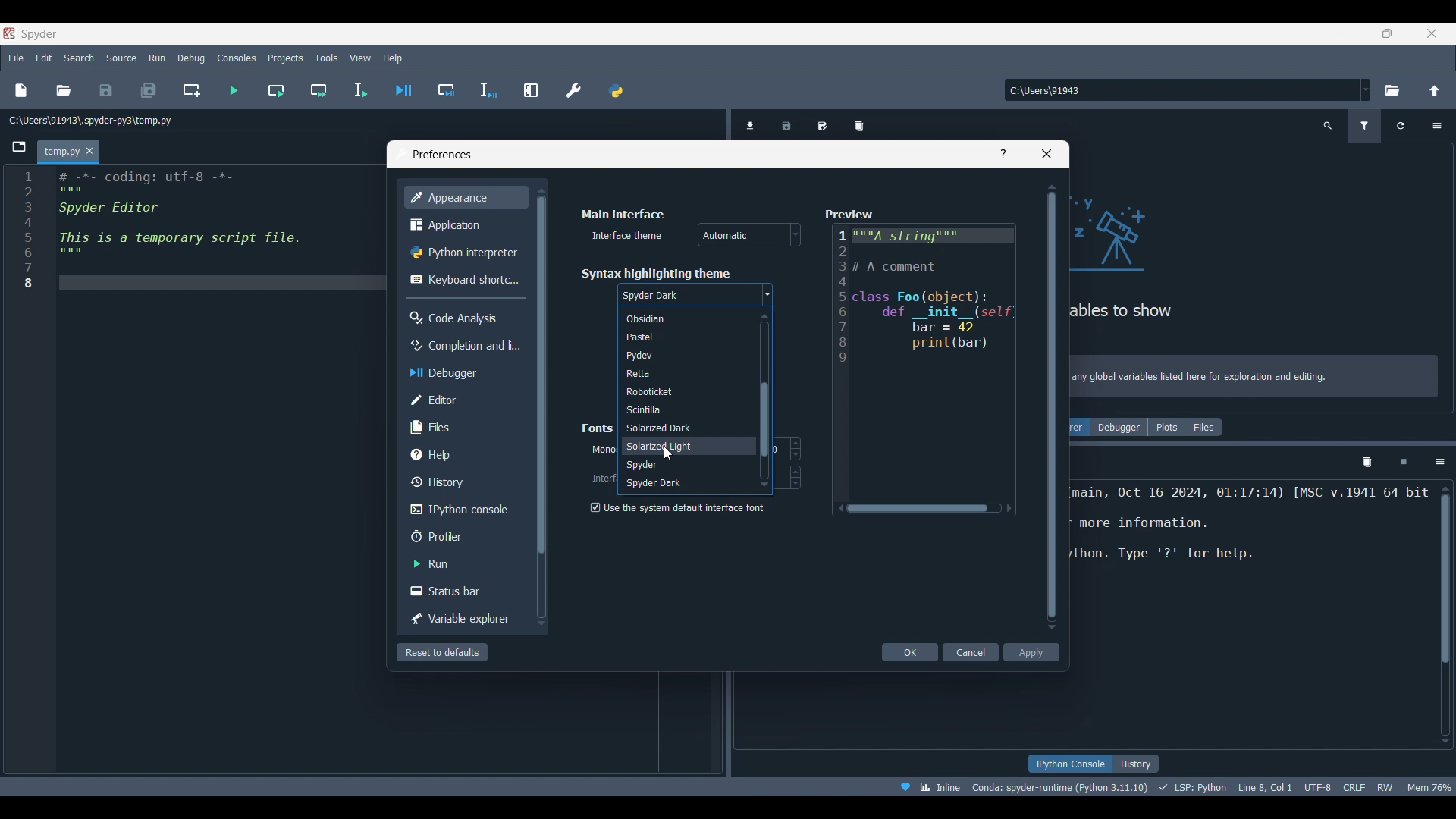  What do you see at coordinates (1266, 786) in the screenshot?
I see `cursor details` at bounding box center [1266, 786].